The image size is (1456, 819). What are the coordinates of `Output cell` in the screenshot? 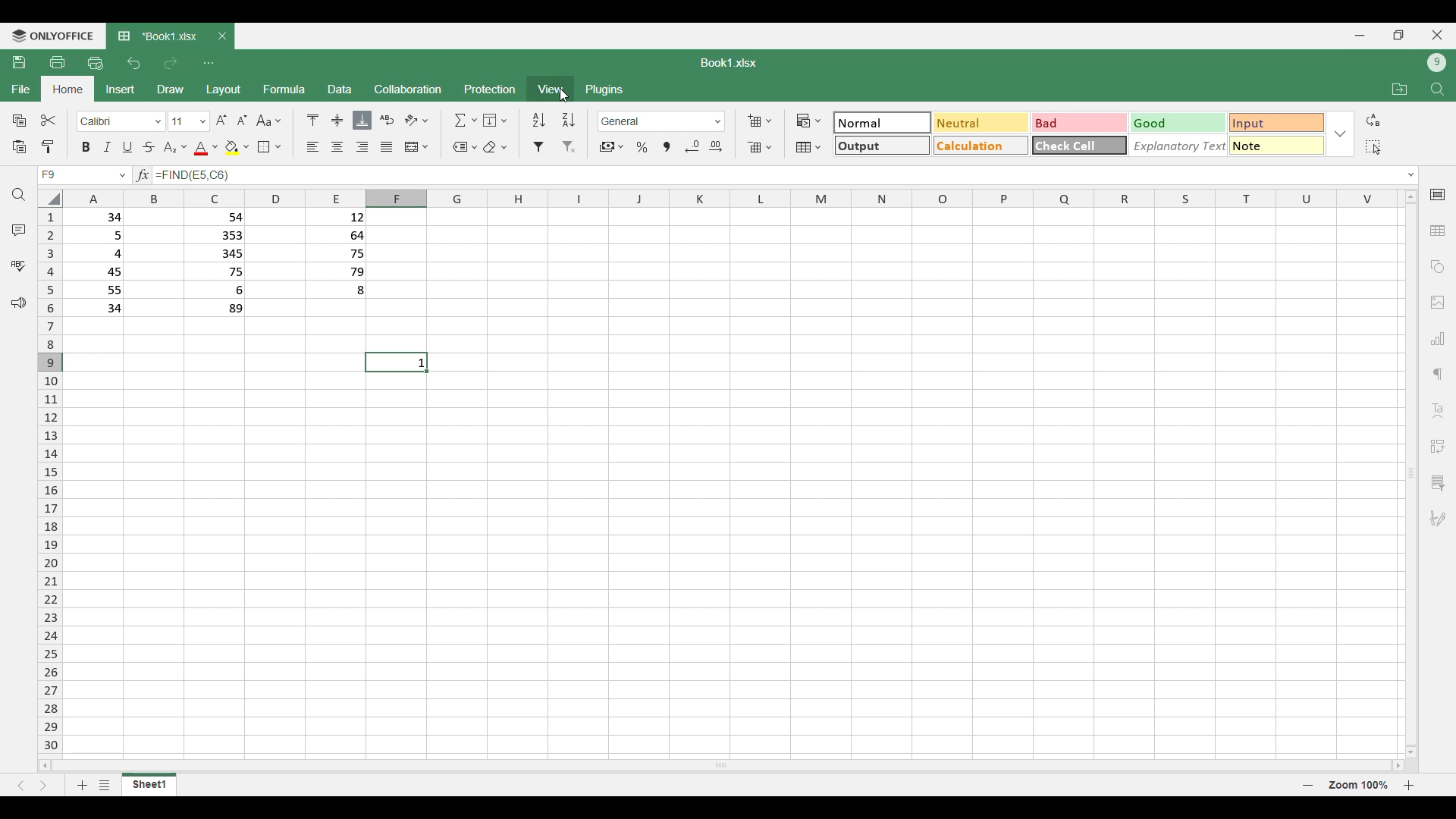 It's located at (880, 146).